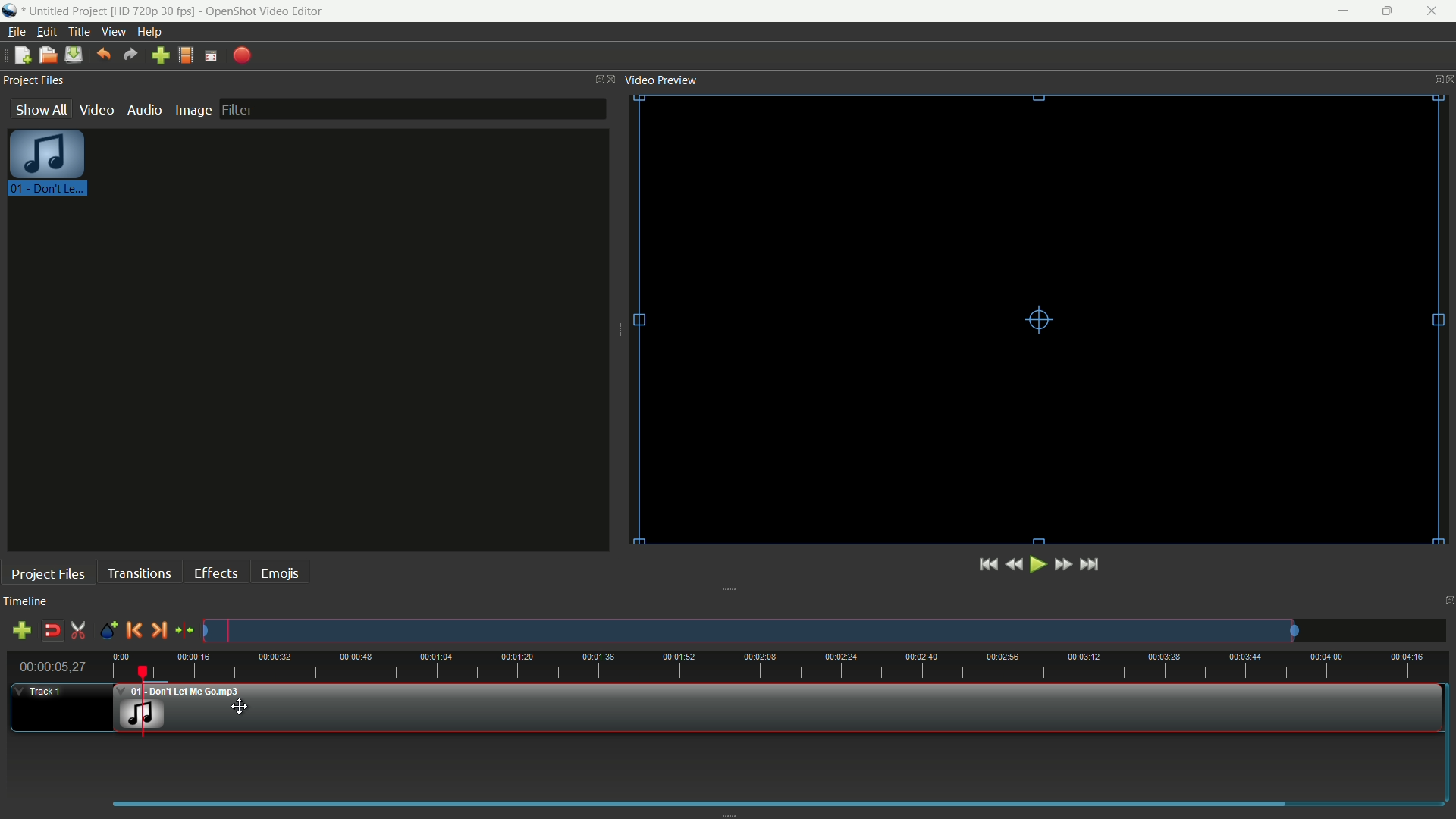 The height and width of the screenshot is (819, 1456). What do you see at coordinates (149, 32) in the screenshot?
I see `help menu` at bounding box center [149, 32].